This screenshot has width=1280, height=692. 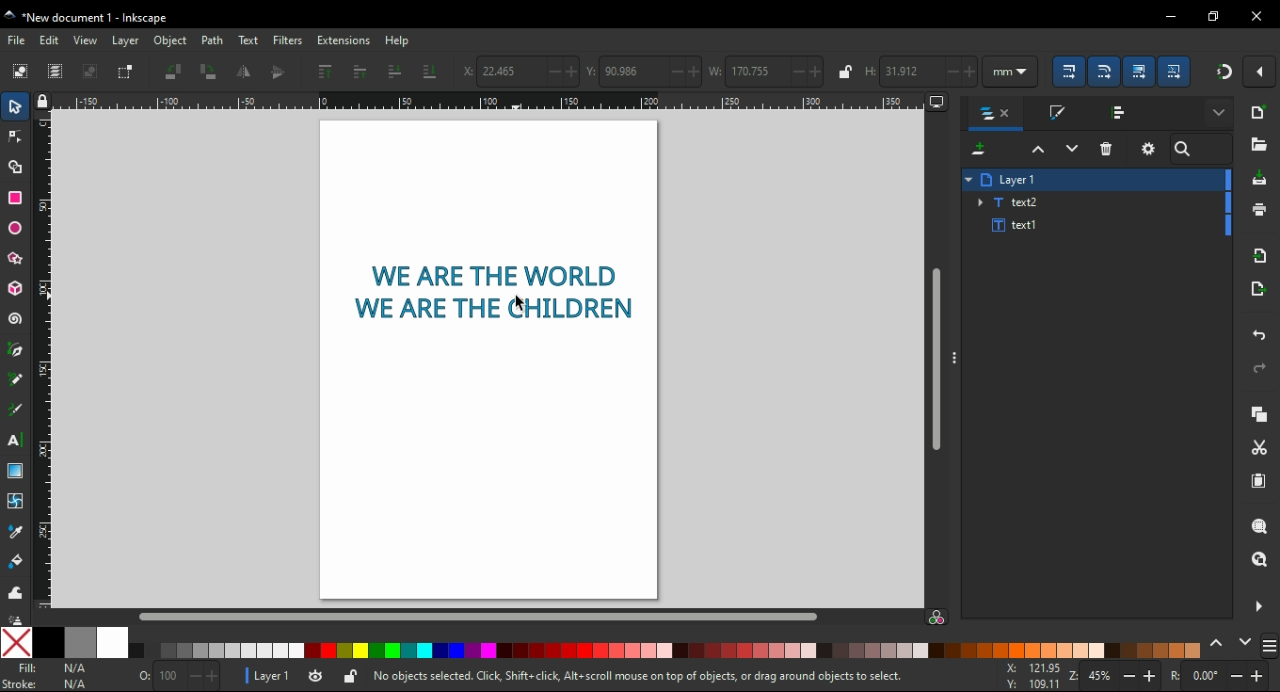 What do you see at coordinates (1211, 16) in the screenshot?
I see `restore` at bounding box center [1211, 16].